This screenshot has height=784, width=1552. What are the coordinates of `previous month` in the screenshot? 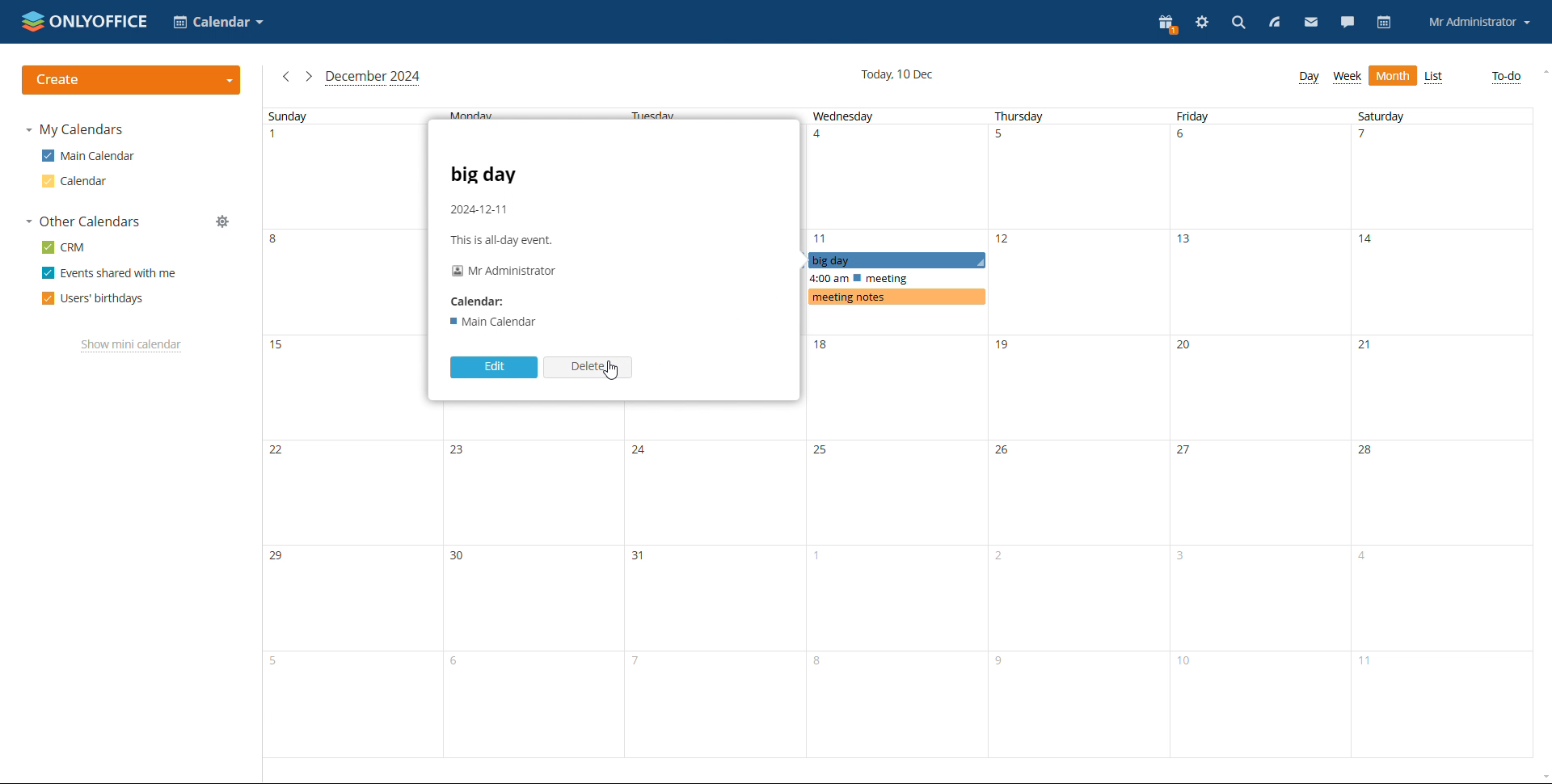 It's located at (285, 76).